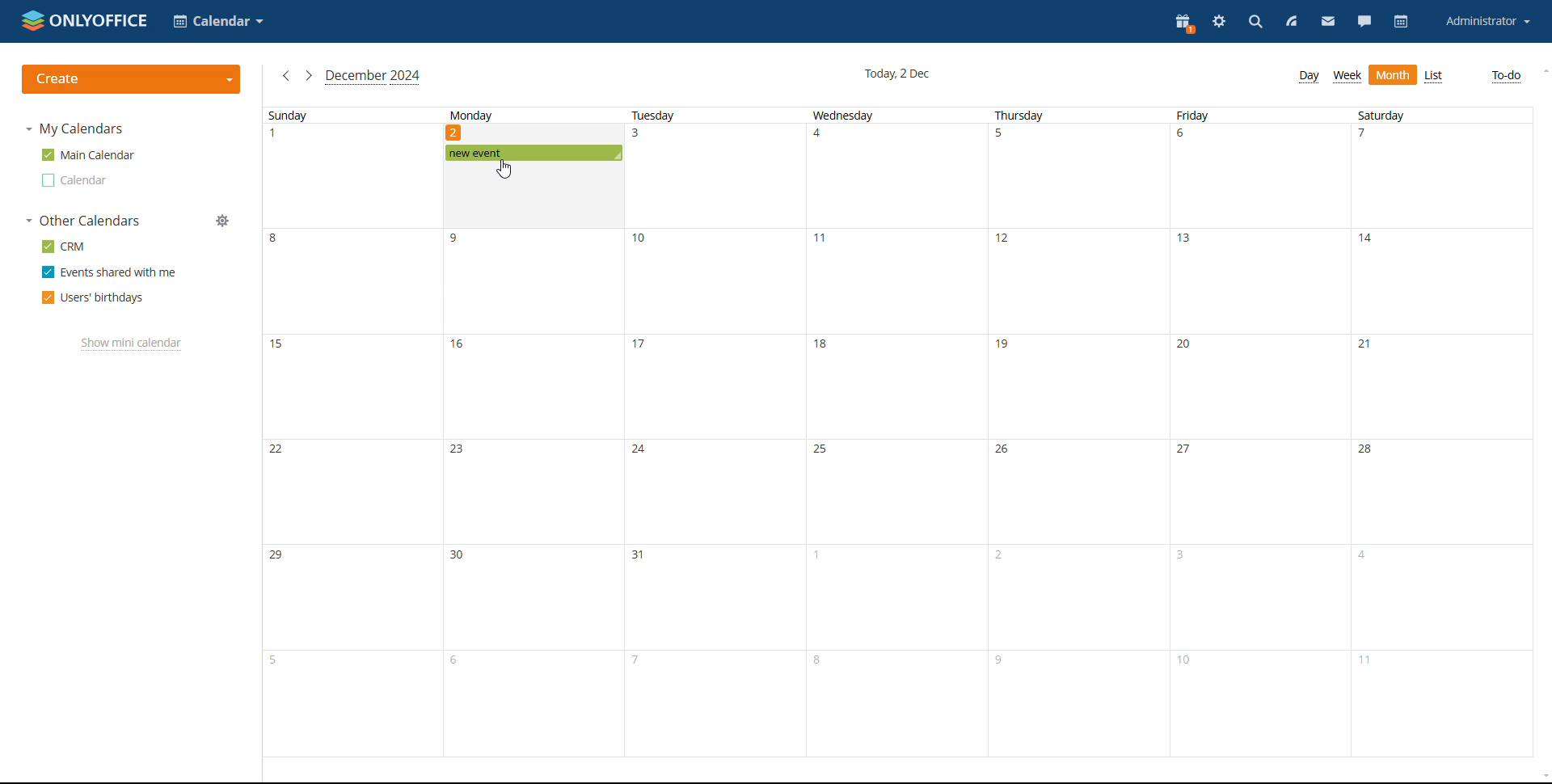 The height and width of the screenshot is (784, 1552). What do you see at coordinates (285, 76) in the screenshot?
I see `previous month` at bounding box center [285, 76].